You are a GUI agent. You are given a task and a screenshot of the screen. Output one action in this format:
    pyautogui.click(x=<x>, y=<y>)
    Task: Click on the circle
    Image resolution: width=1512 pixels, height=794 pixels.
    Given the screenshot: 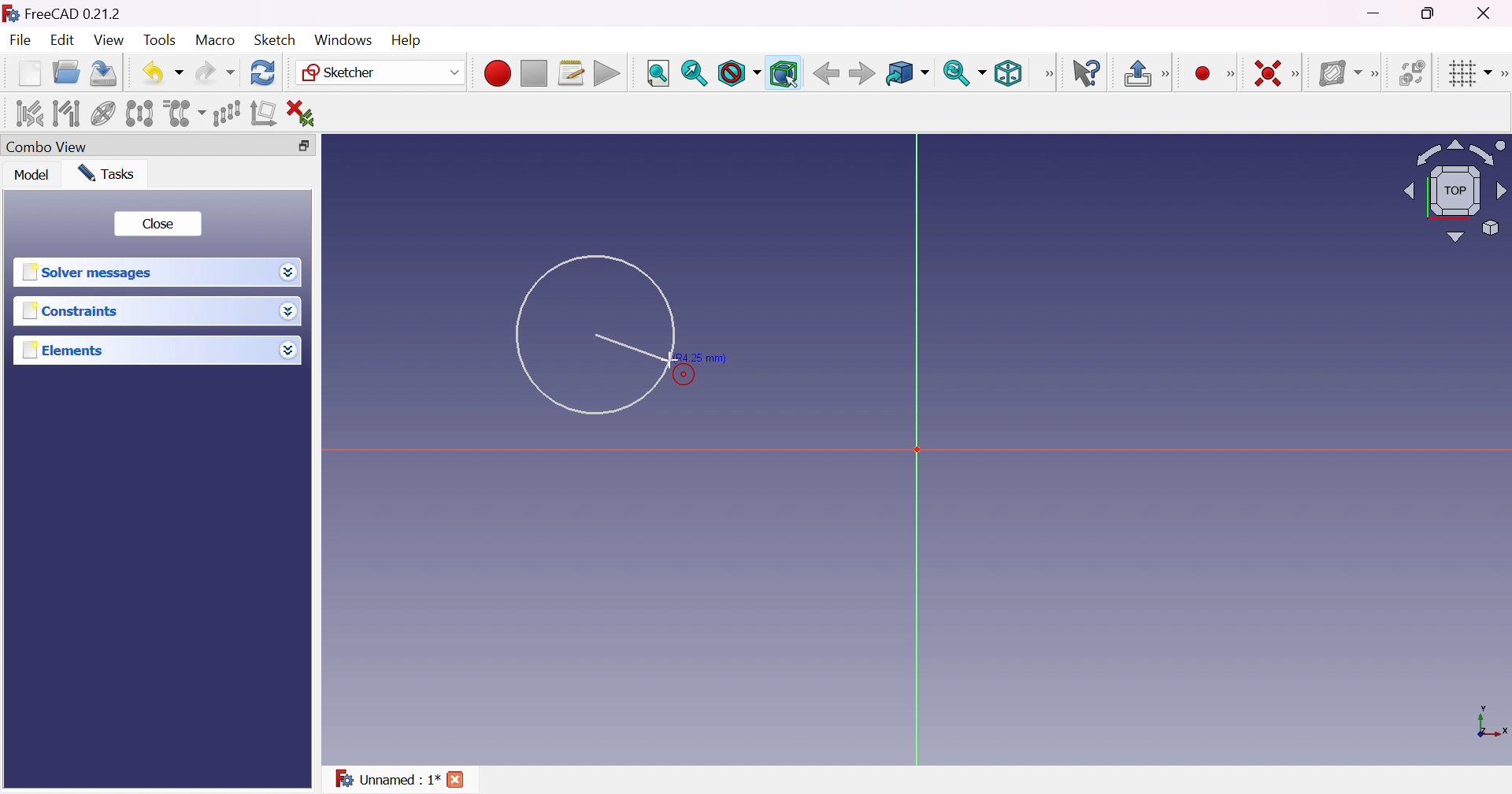 What is the action you would take?
    pyautogui.click(x=594, y=337)
    